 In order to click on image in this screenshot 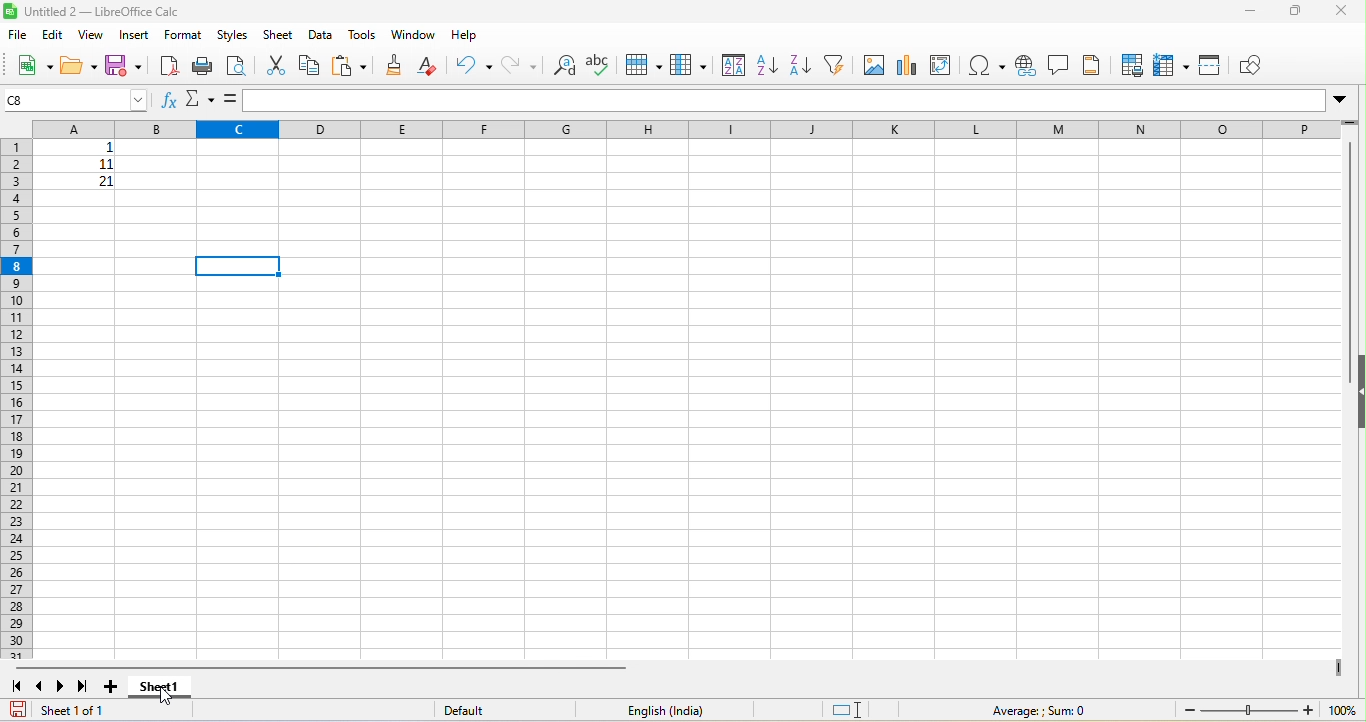, I will do `click(873, 65)`.